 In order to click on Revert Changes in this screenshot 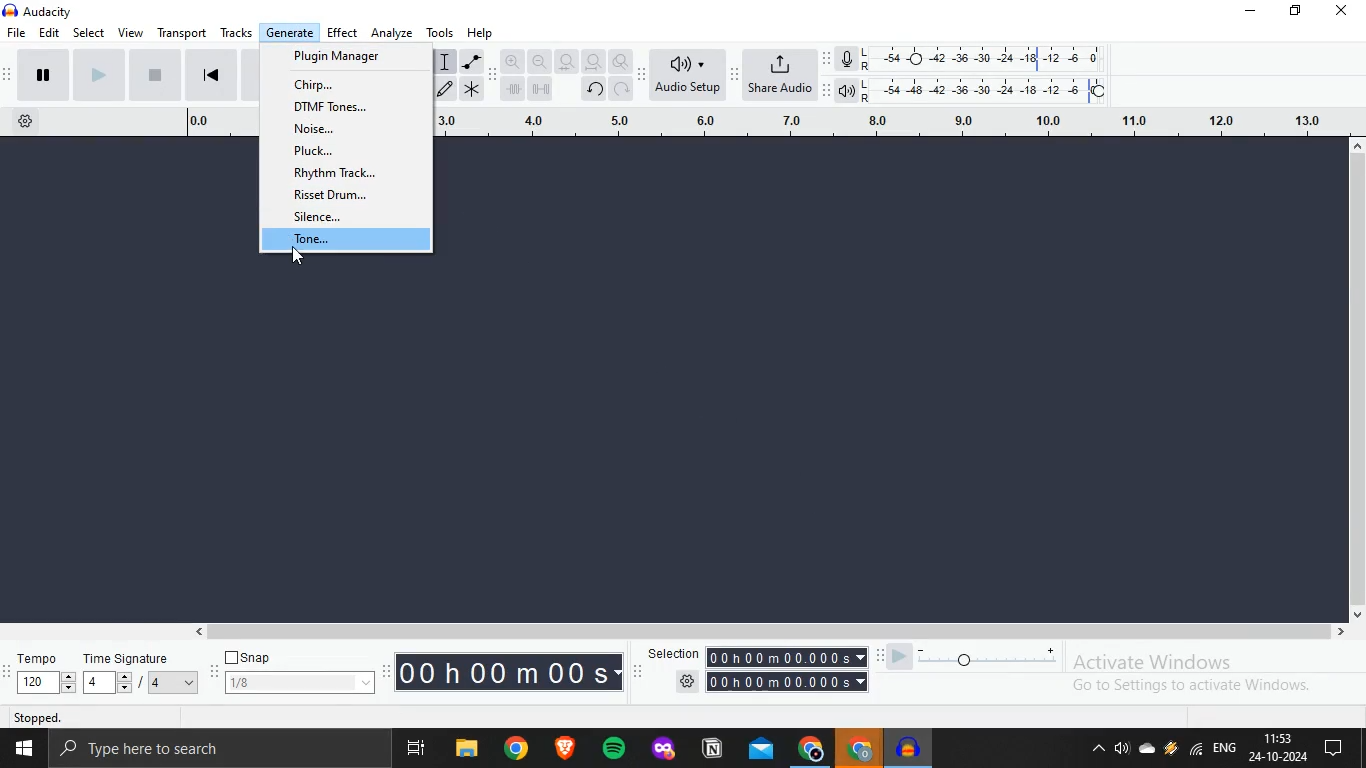, I will do `click(593, 89)`.